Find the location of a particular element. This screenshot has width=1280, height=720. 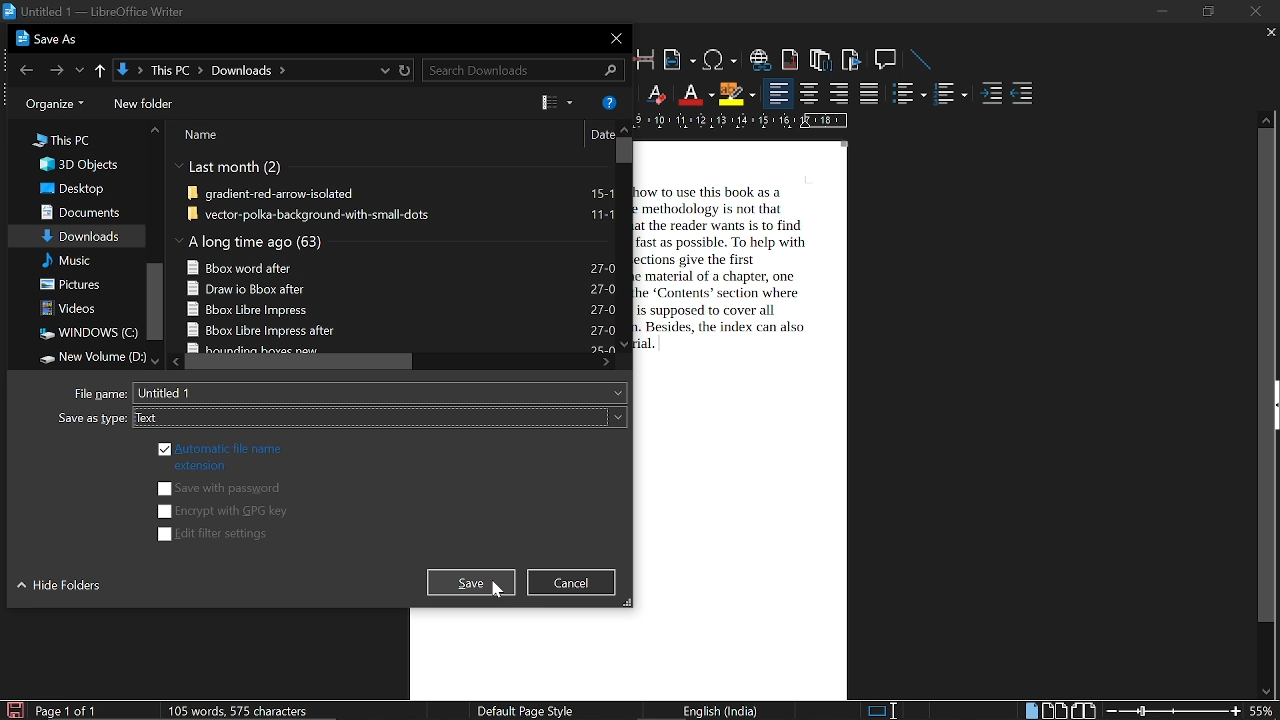

book view is located at coordinates (1083, 711).